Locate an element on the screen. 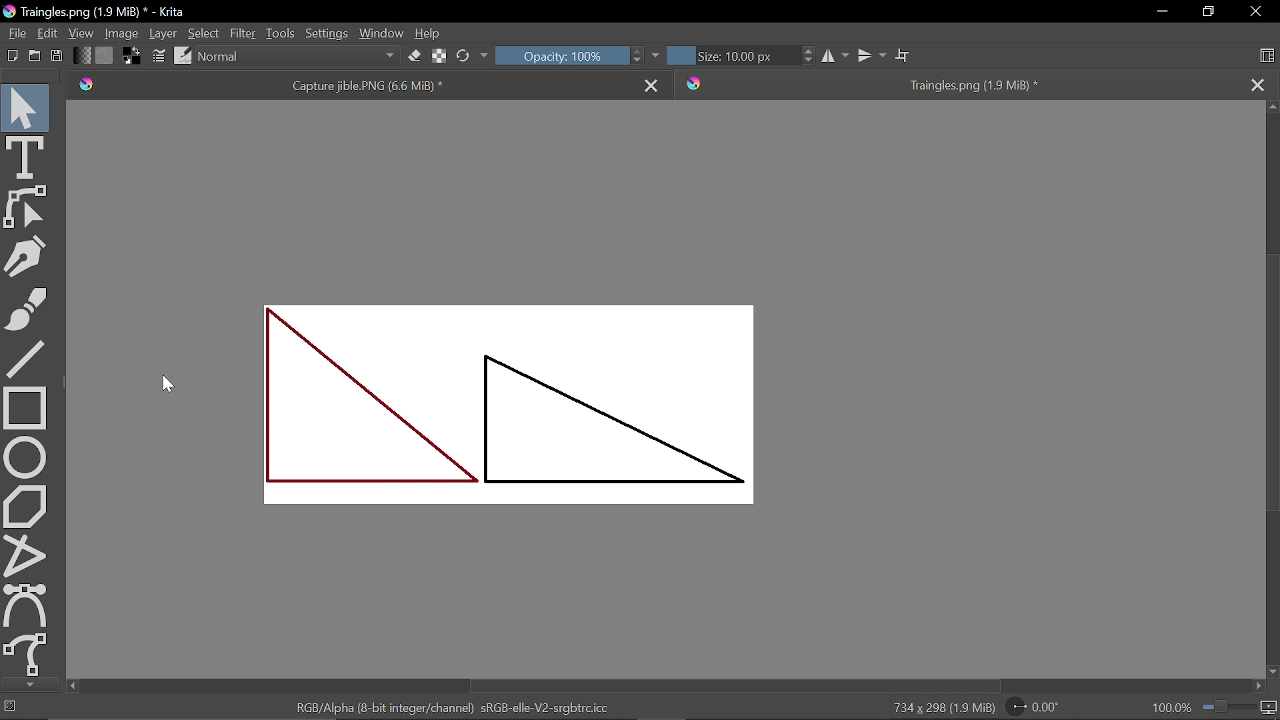  Foreground color is located at coordinates (132, 56).